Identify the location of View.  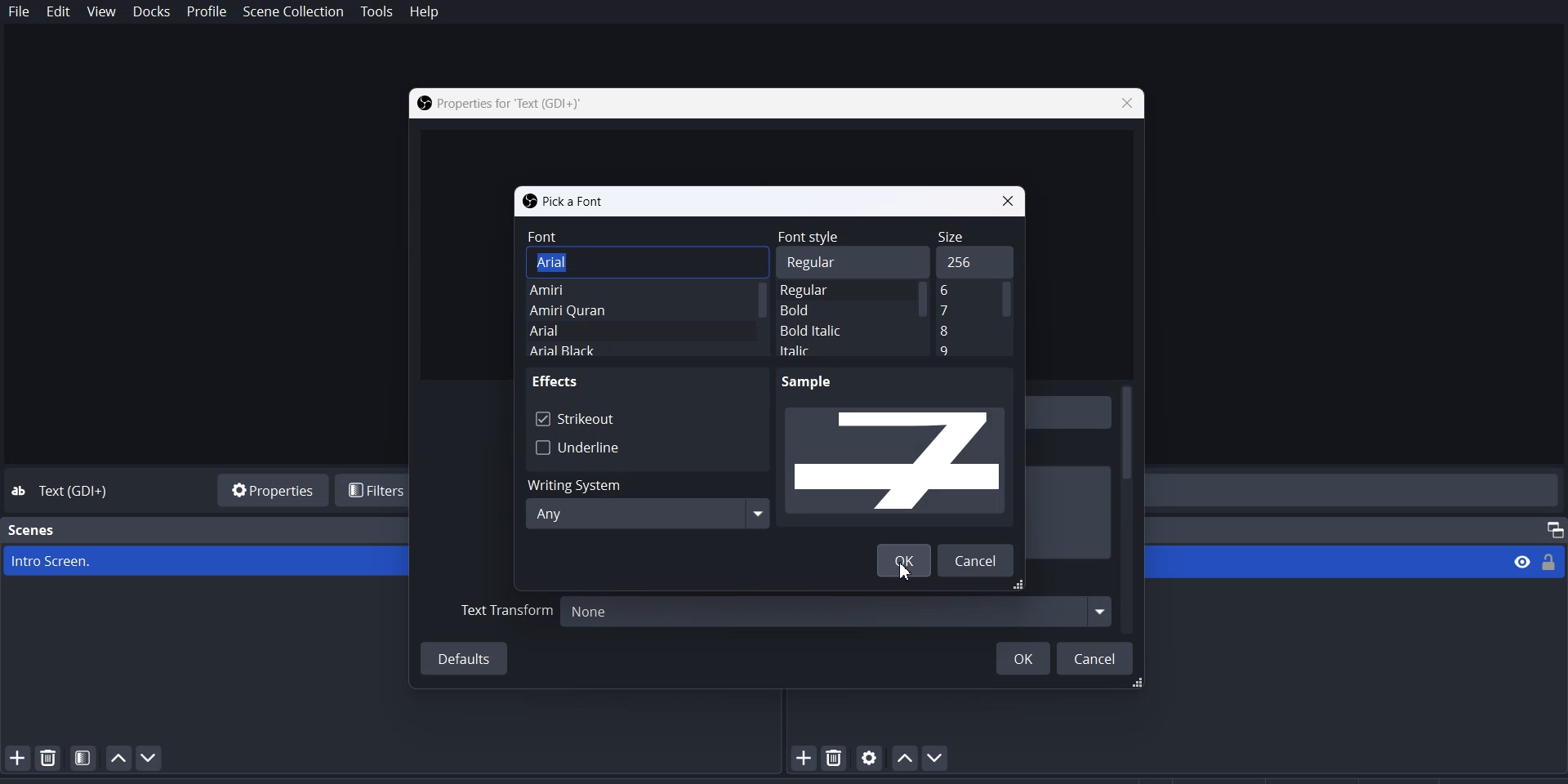
(102, 12).